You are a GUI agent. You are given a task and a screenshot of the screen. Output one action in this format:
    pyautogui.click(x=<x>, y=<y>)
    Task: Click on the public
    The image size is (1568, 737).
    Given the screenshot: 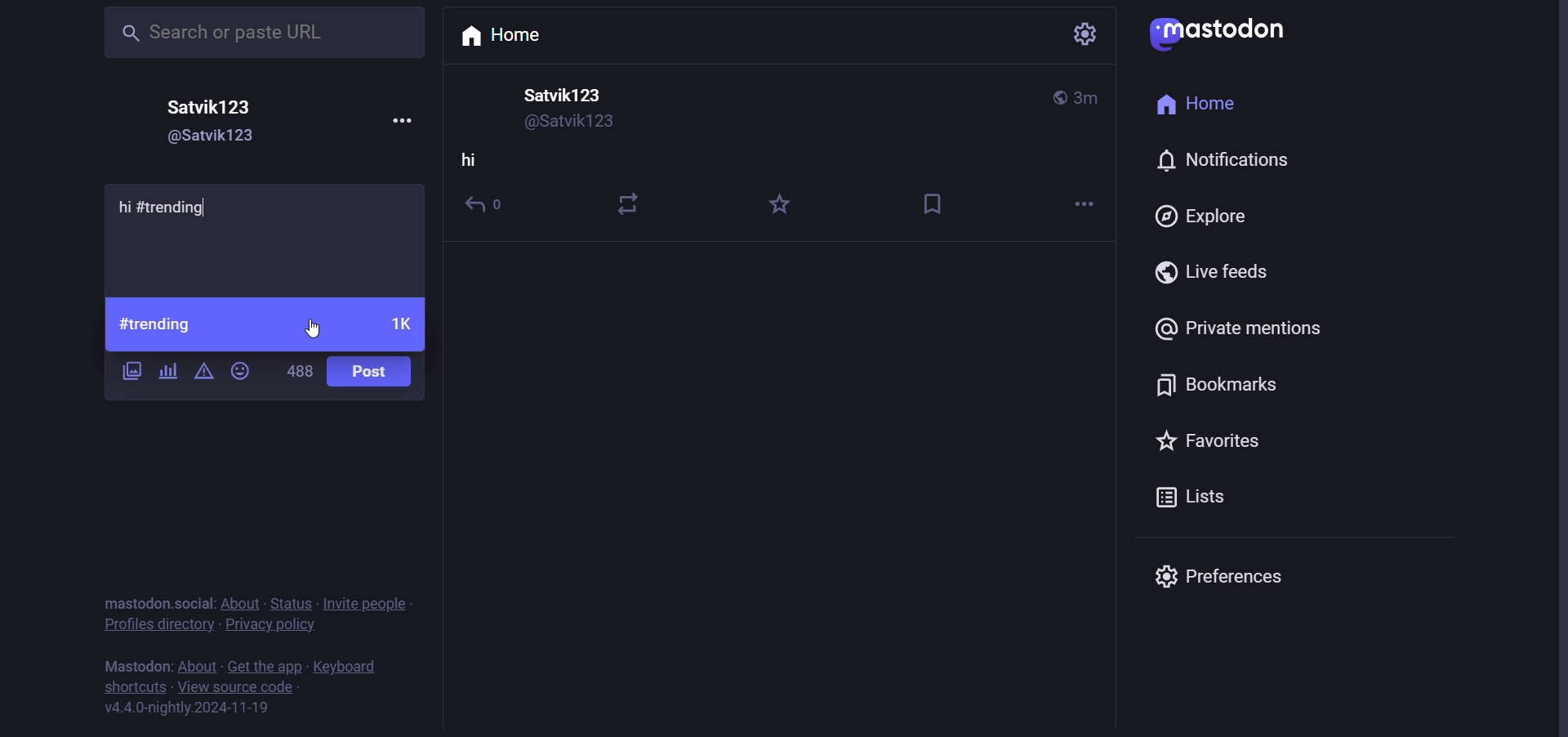 What is the action you would take?
    pyautogui.click(x=1058, y=97)
    